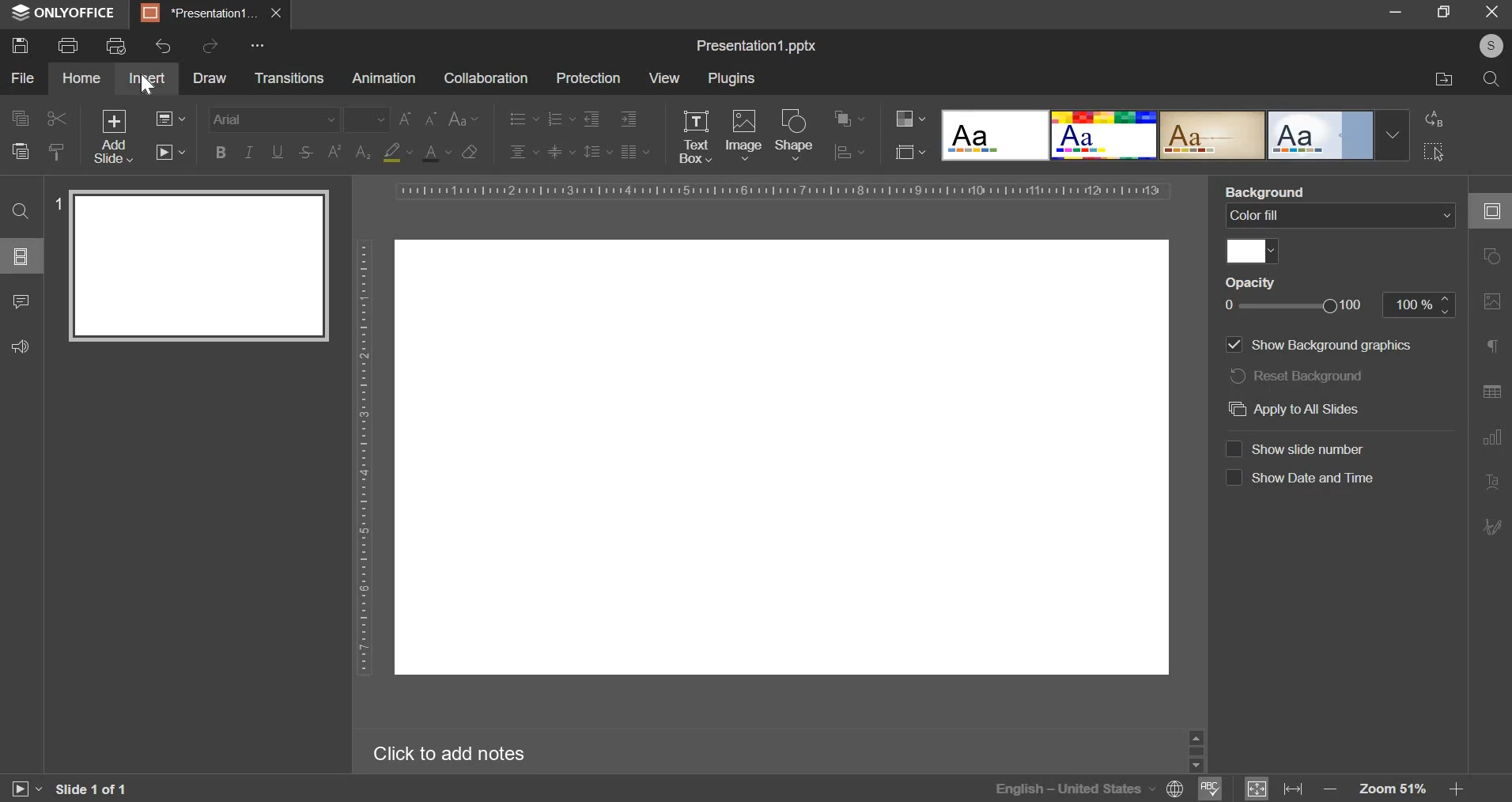 Image resolution: width=1512 pixels, height=802 pixels. Describe the element at coordinates (597, 152) in the screenshot. I see `line spacing` at that location.